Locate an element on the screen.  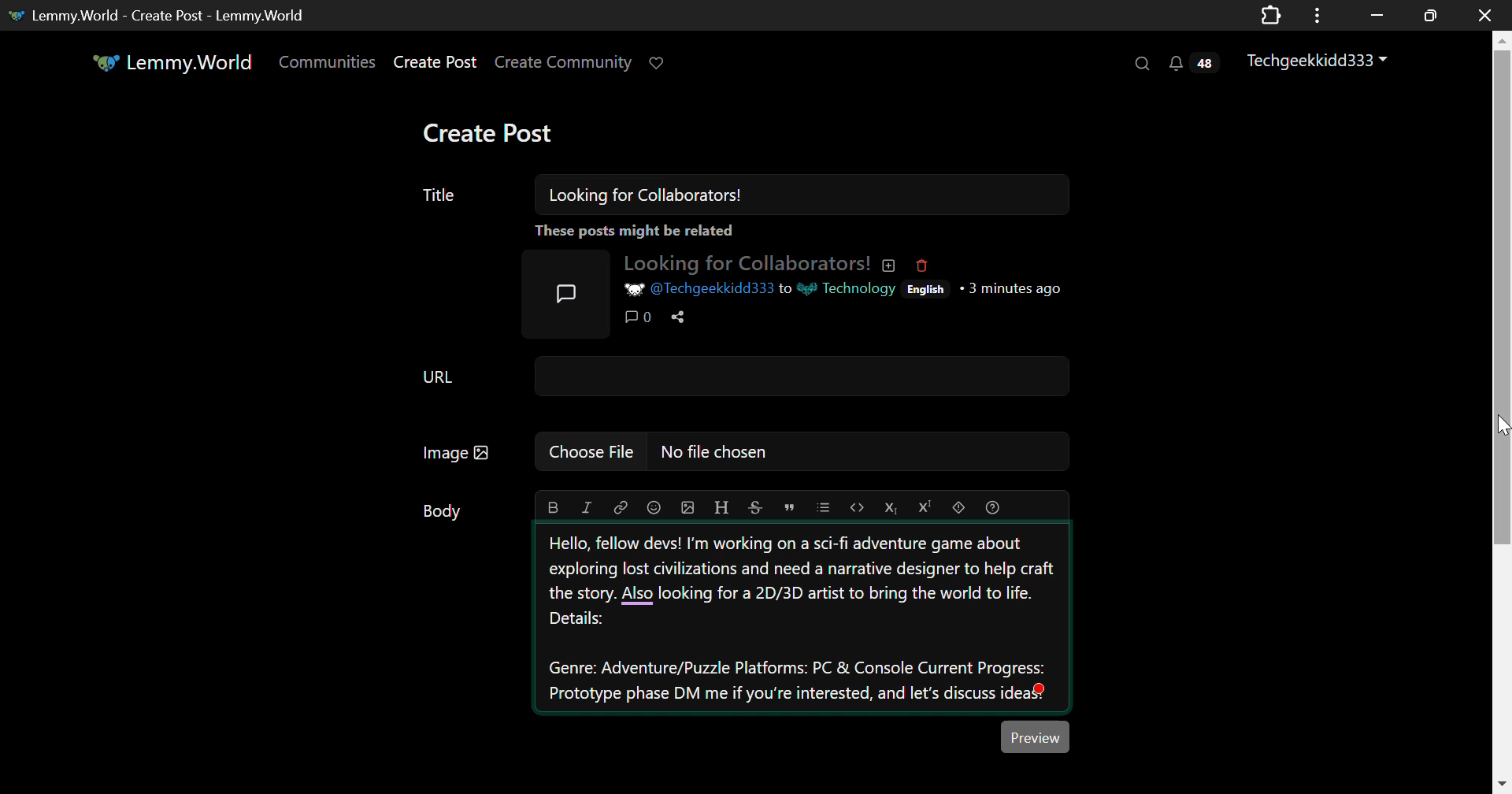
URL is located at coordinates (742, 375).